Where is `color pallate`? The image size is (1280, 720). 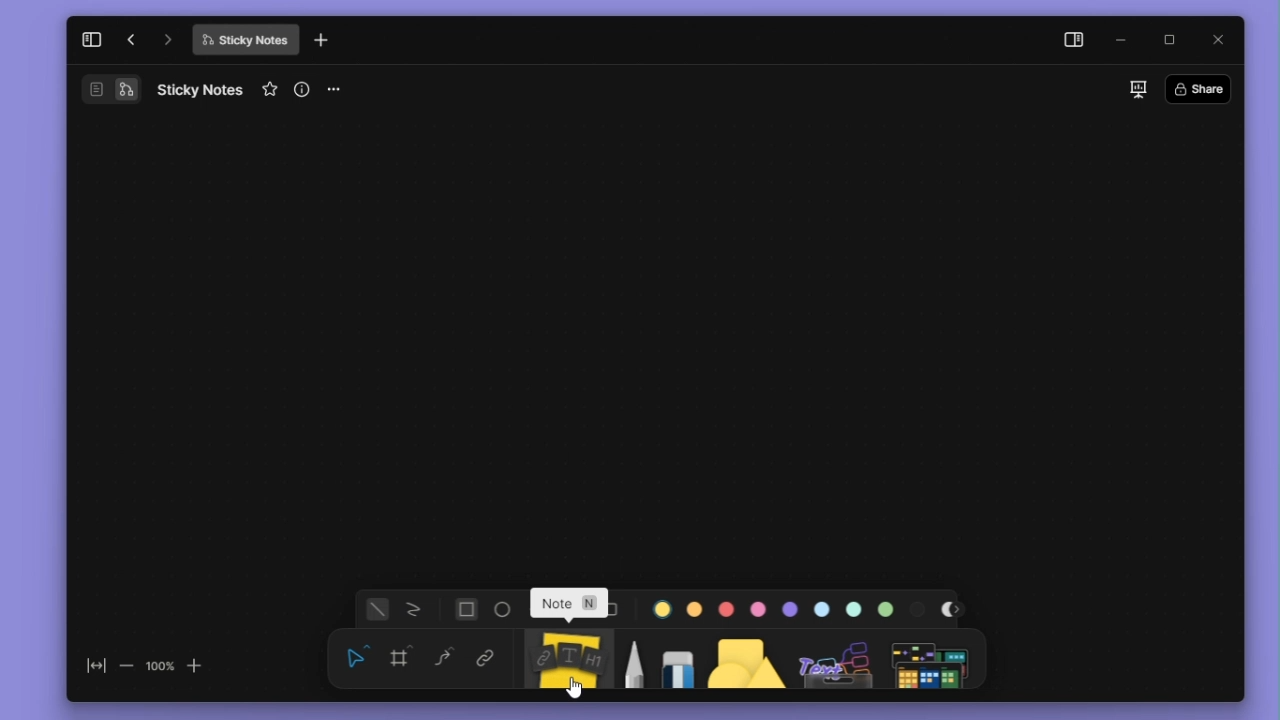 color pallate is located at coordinates (693, 609).